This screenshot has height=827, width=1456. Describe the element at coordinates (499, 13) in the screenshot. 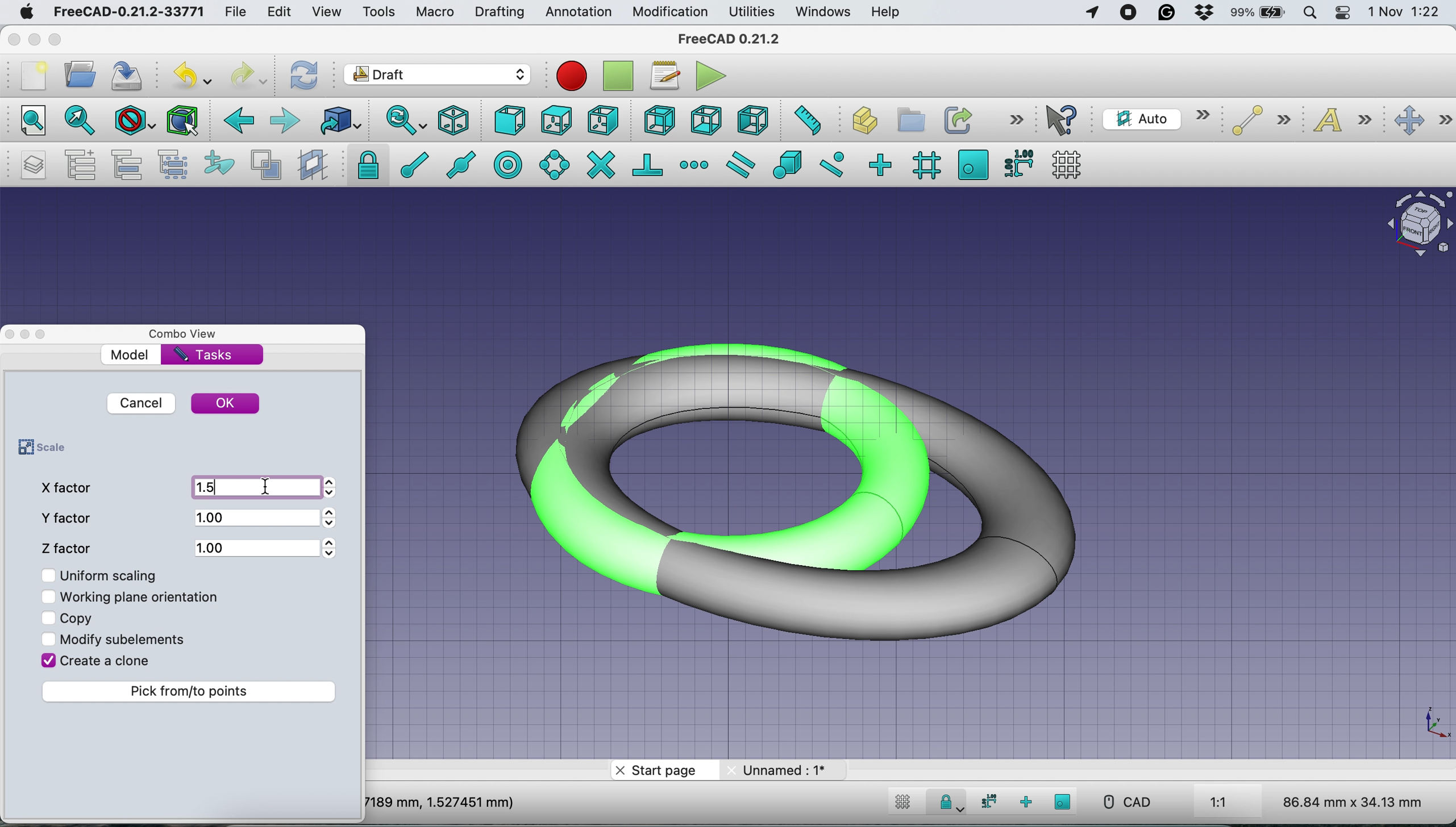

I see `drafting` at that location.